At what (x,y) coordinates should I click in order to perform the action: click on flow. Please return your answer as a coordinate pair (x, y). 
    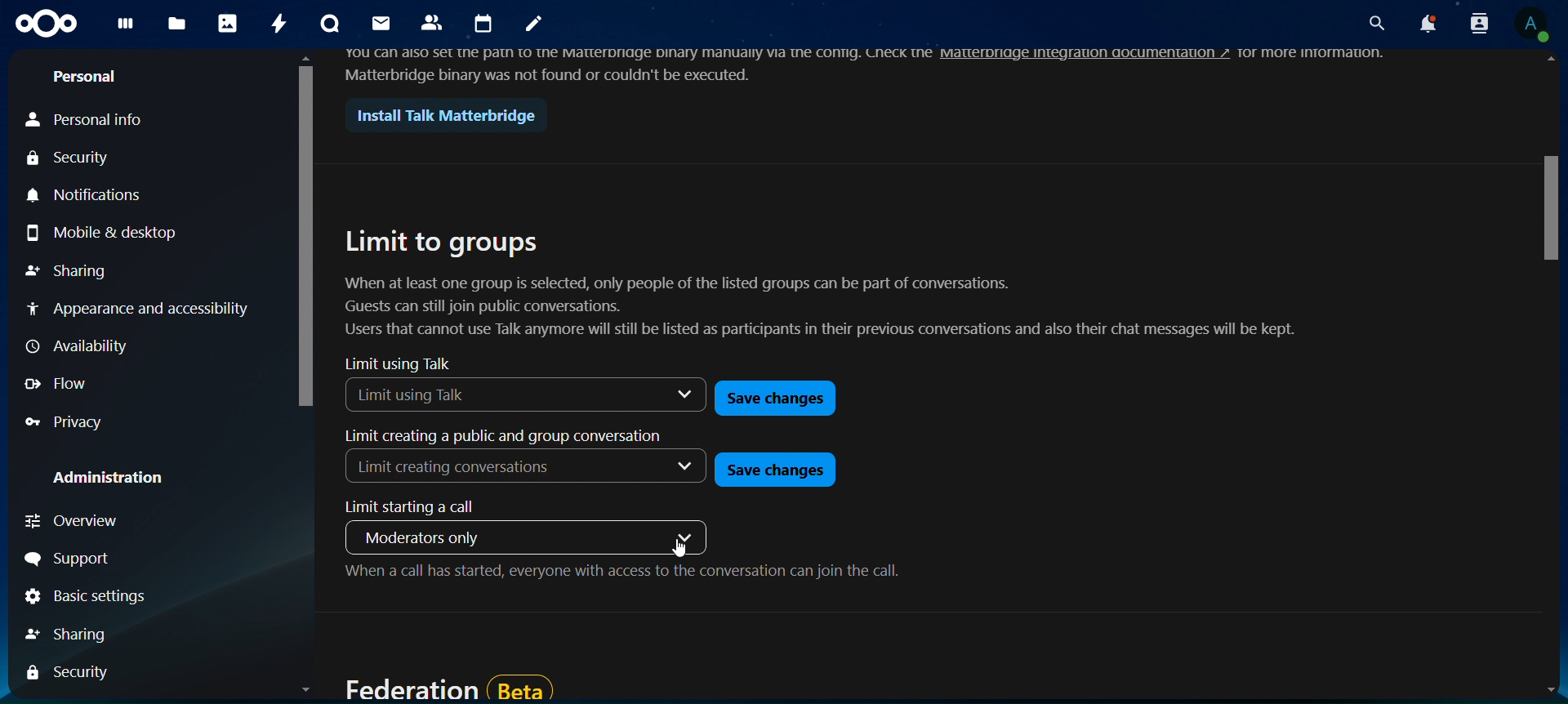
    Looking at the image, I should click on (65, 382).